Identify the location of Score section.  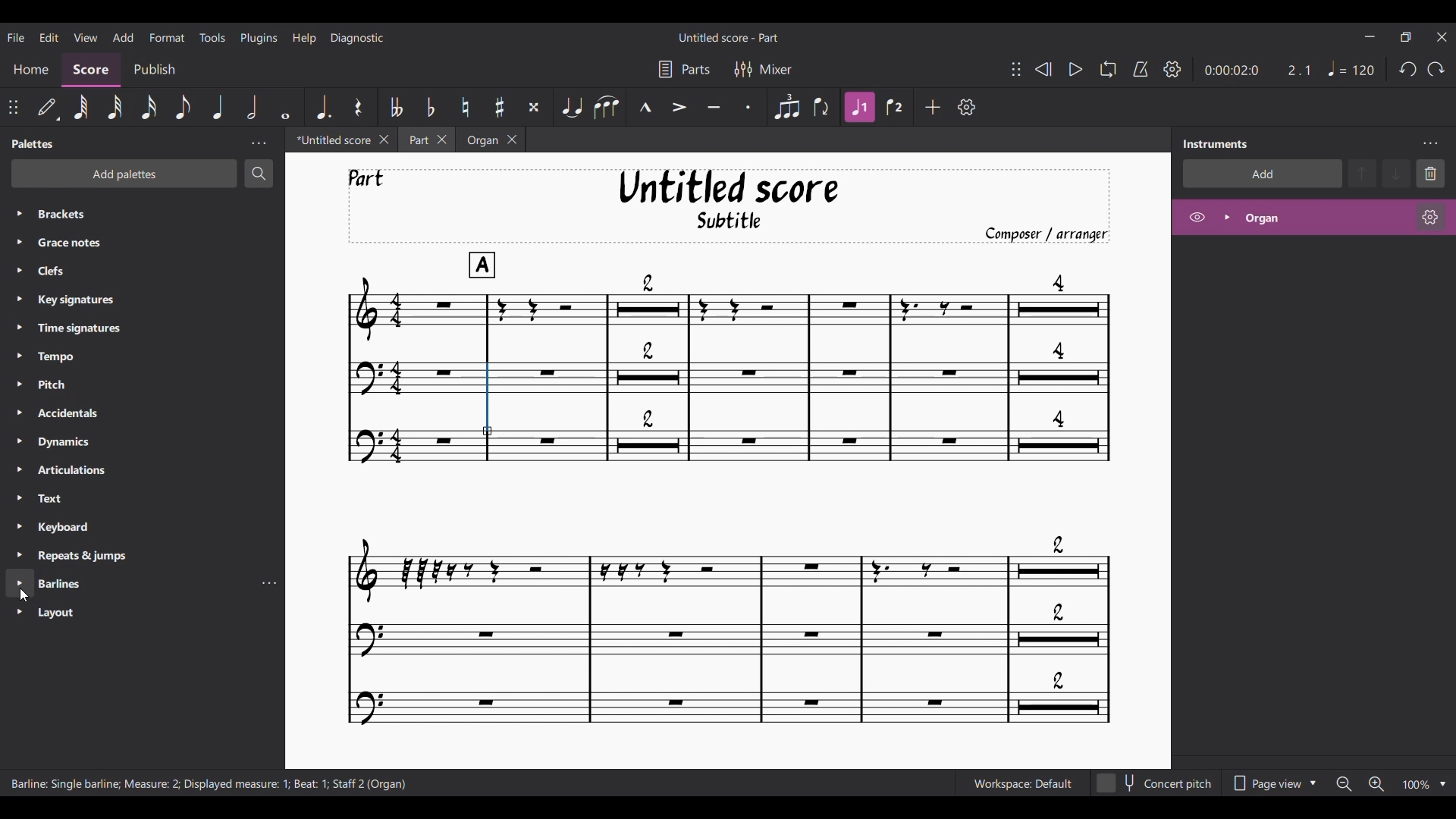
(90, 71).